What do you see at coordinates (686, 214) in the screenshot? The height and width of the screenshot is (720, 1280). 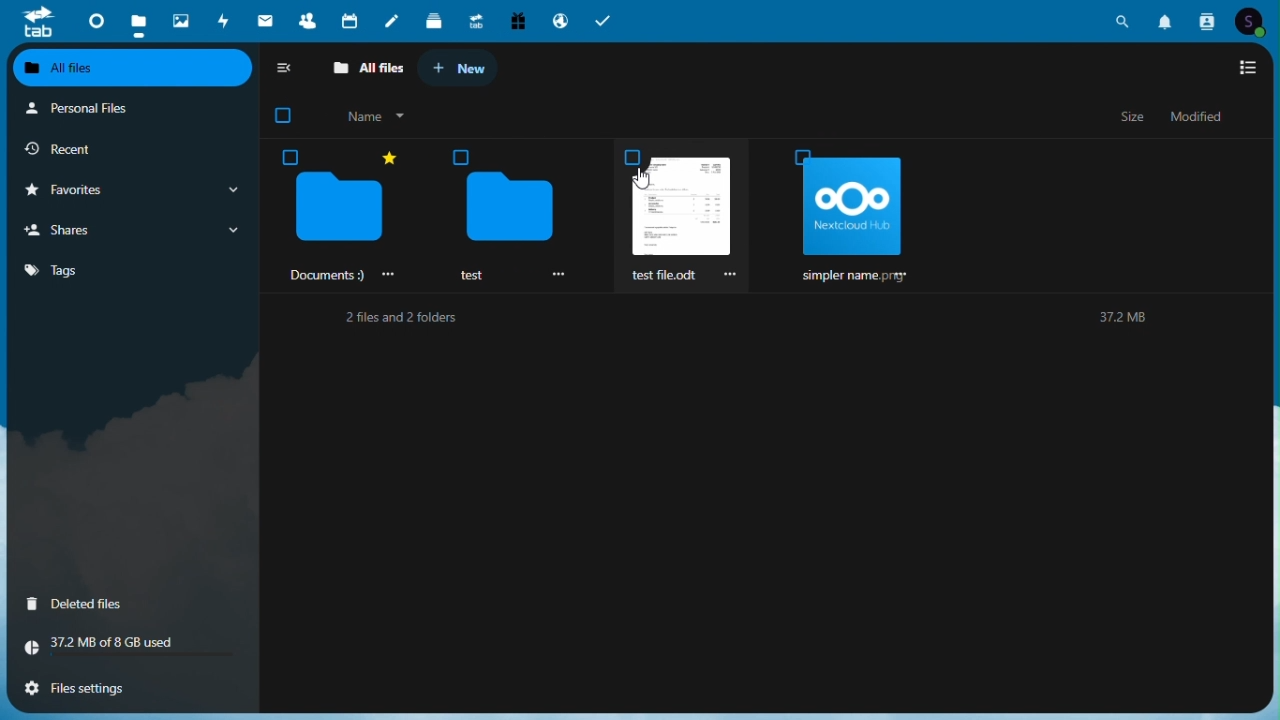 I see `Selected files` at bounding box center [686, 214].